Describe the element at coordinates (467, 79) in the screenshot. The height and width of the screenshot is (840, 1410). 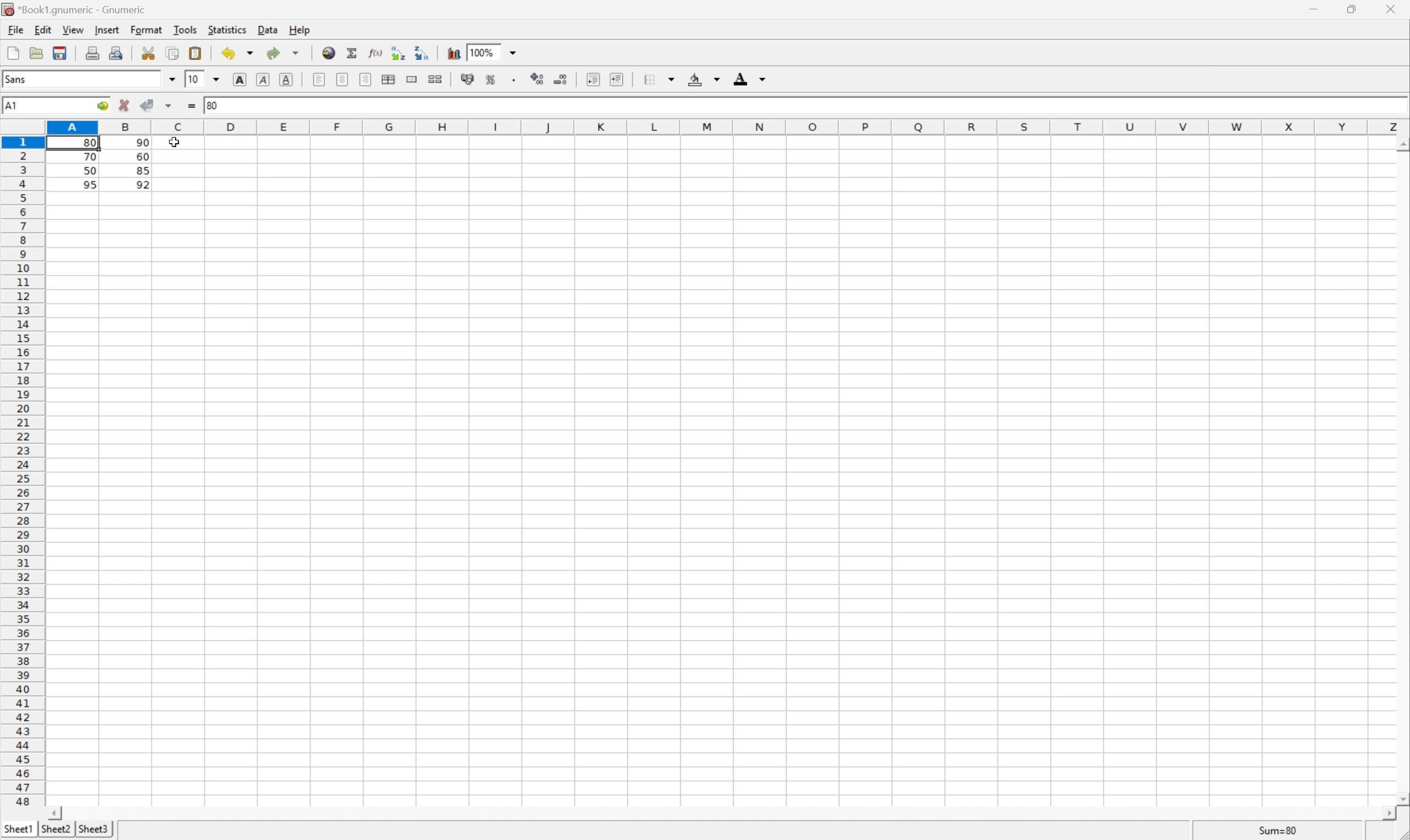
I see `Format the selection as accounting` at that location.